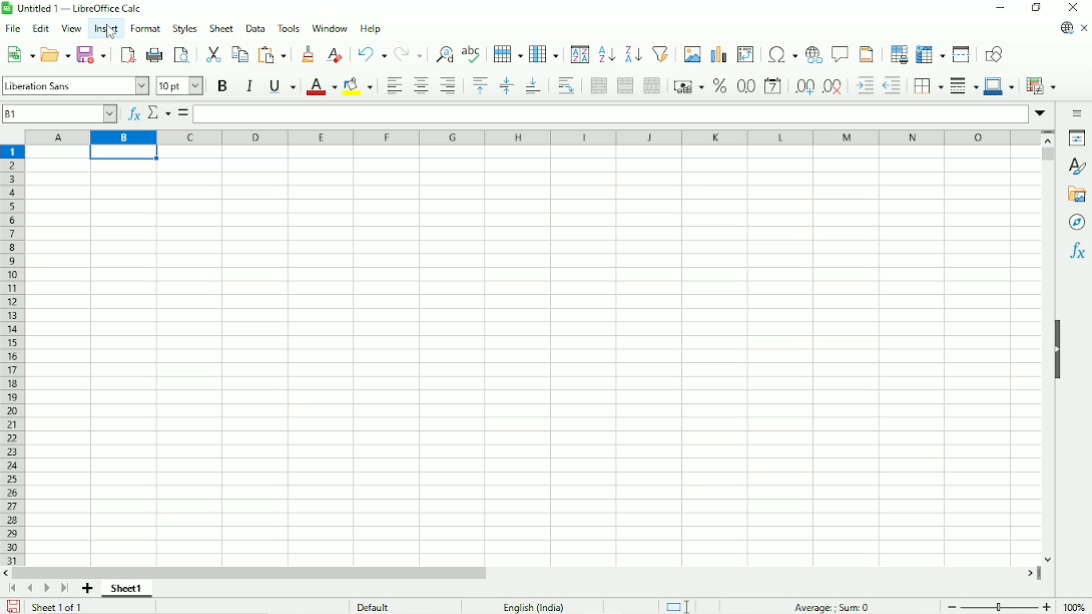 The height and width of the screenshot is (614, 1092). What do you see at coordinates (111, 32) in the screenshot?
I see `cursor` at bounding box center [111, 32].